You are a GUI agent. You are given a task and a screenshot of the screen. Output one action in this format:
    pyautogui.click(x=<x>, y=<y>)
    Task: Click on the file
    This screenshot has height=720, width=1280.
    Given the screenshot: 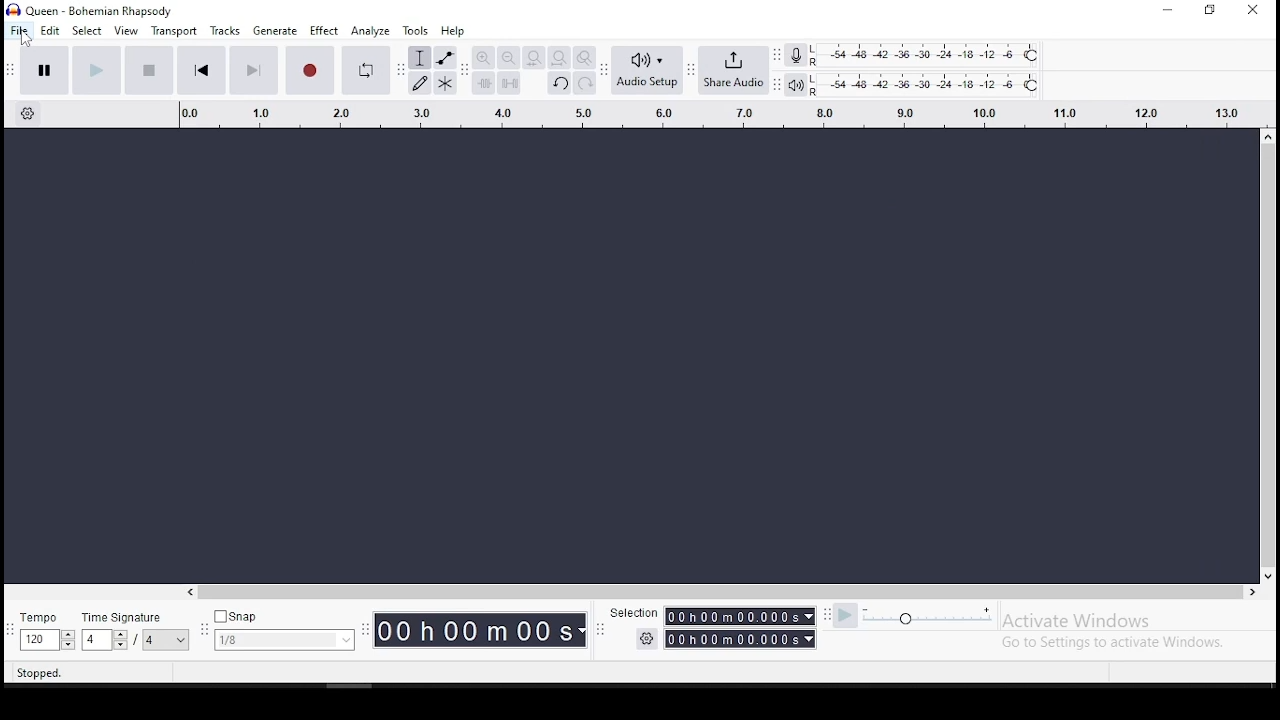 What is the action you would take?
    pyautogui.click(x=16, y=30)
    